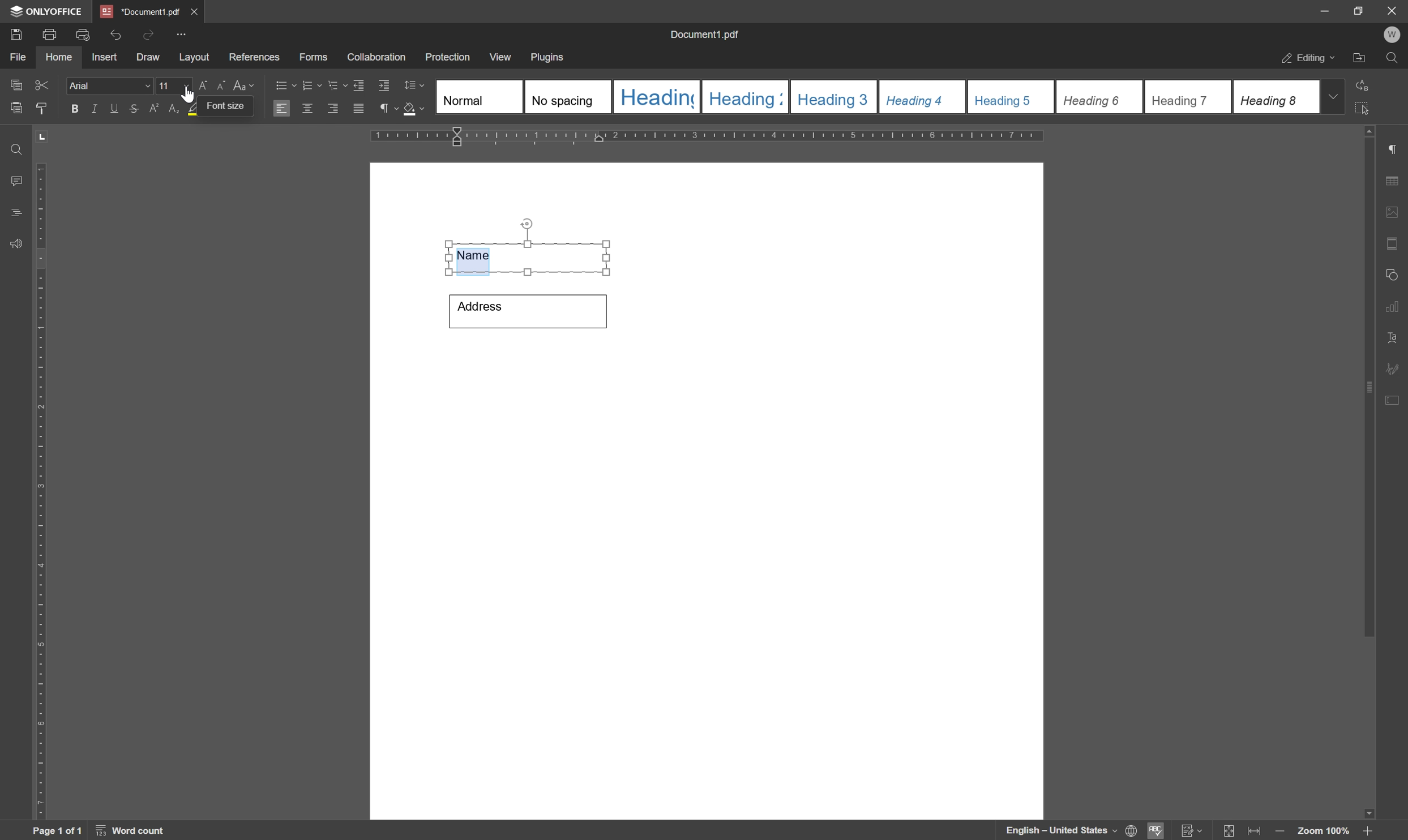  Describe the element at coordinates (104, 58) in the screenshot. I see `insert` at that location.